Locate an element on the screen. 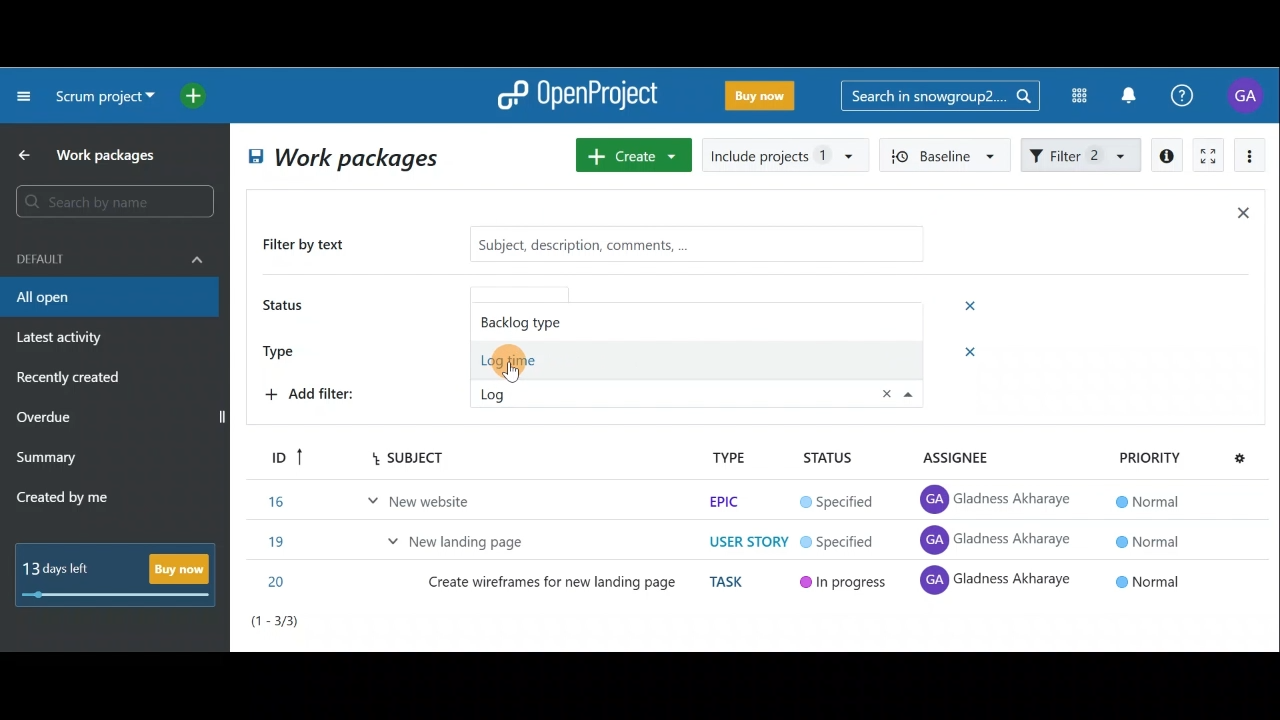  Type is located at coordinates (286, 349).